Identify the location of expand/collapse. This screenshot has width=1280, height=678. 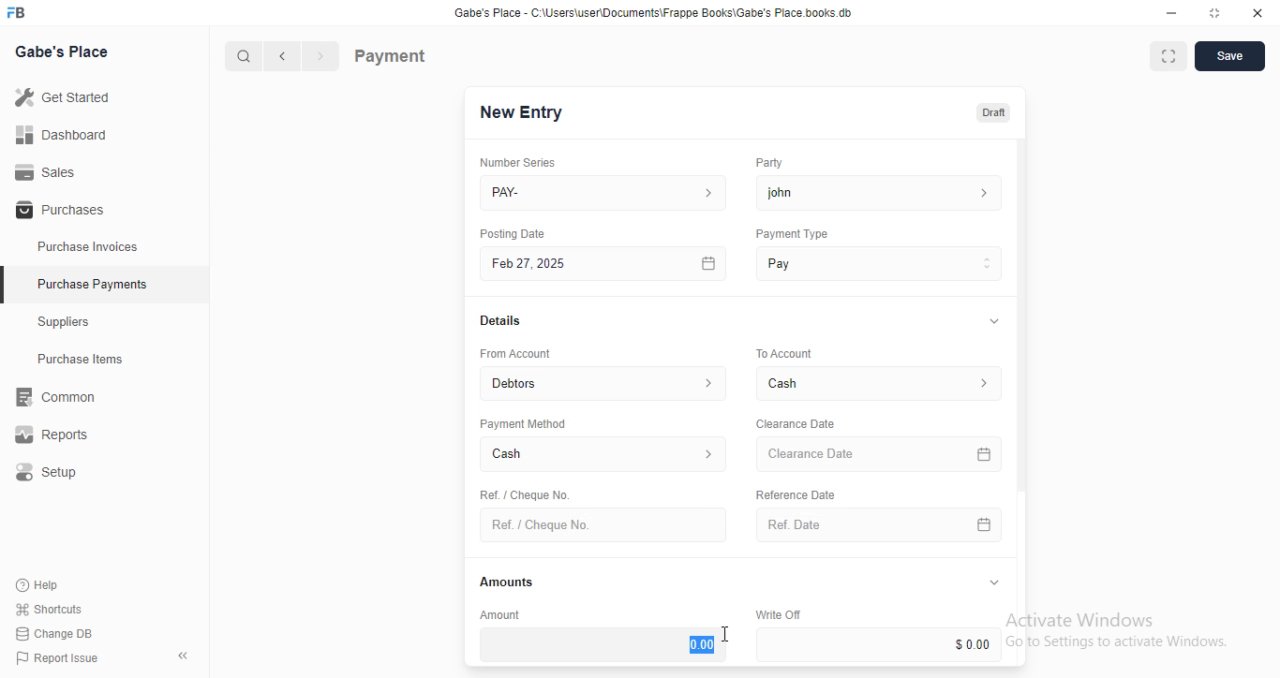
(990, 322).